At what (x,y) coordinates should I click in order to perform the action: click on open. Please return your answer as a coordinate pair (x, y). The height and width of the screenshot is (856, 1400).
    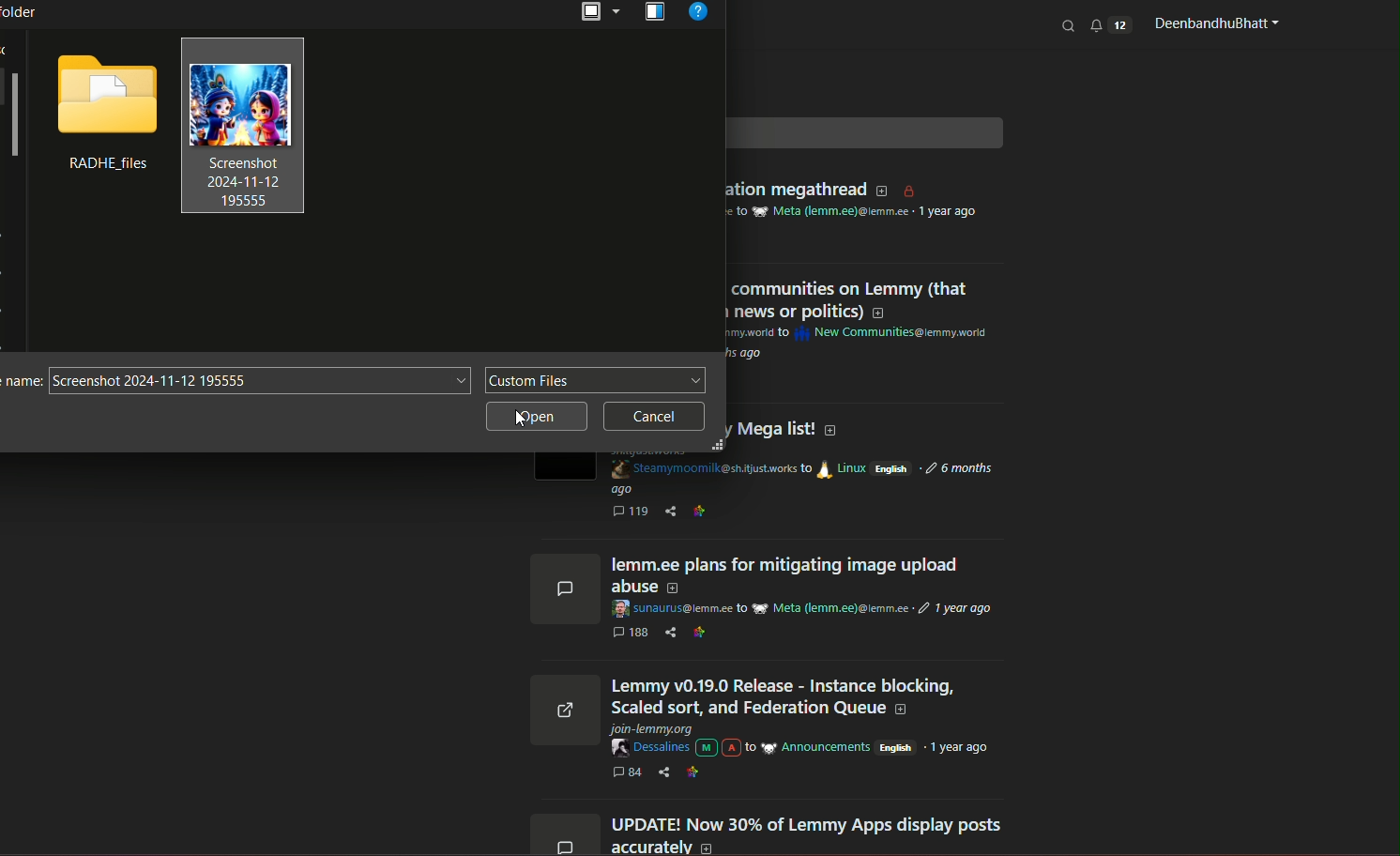
    Looking at the image, I should click on (599, 13).